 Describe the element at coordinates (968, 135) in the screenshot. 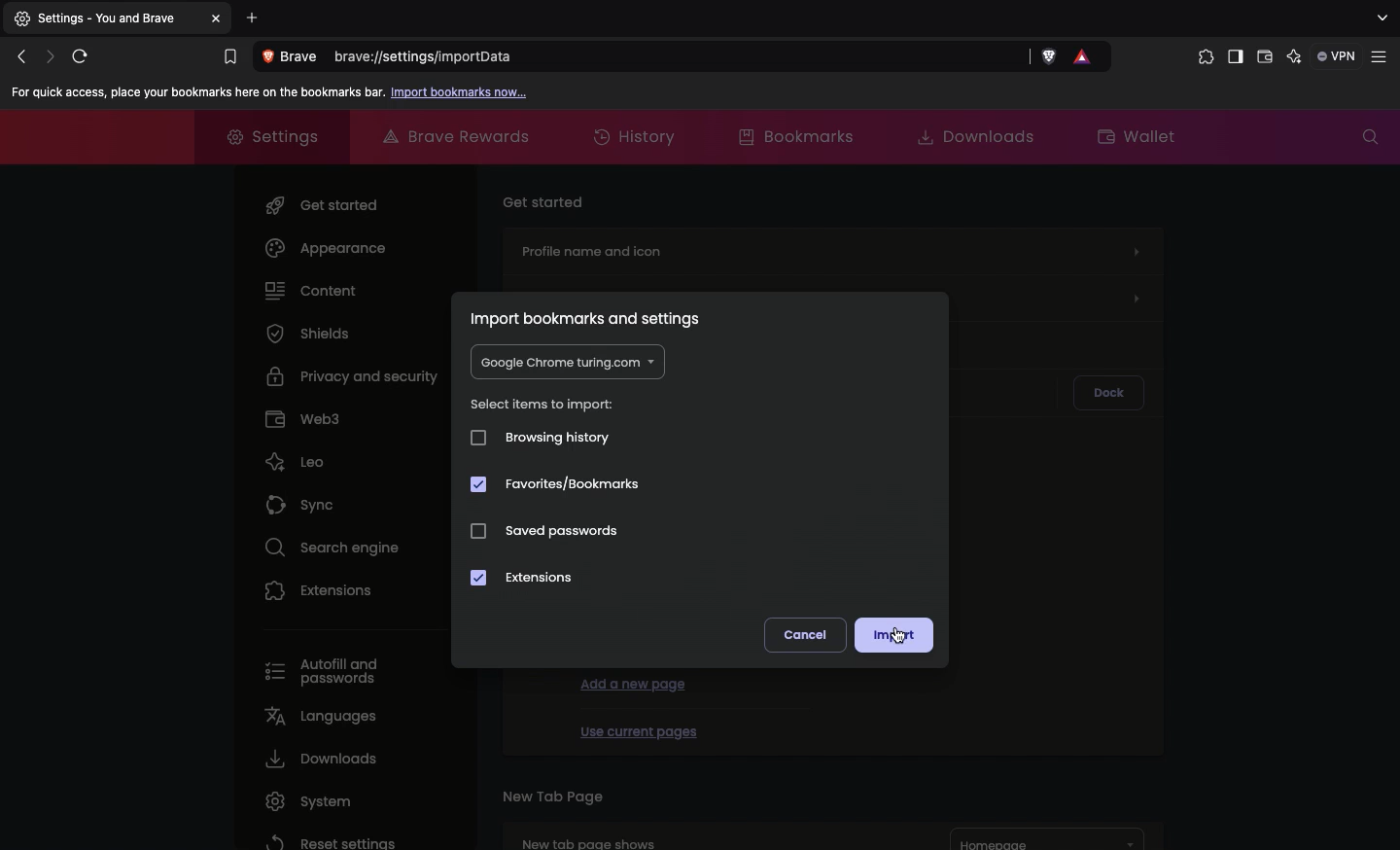

I see `Downloads` at that location.